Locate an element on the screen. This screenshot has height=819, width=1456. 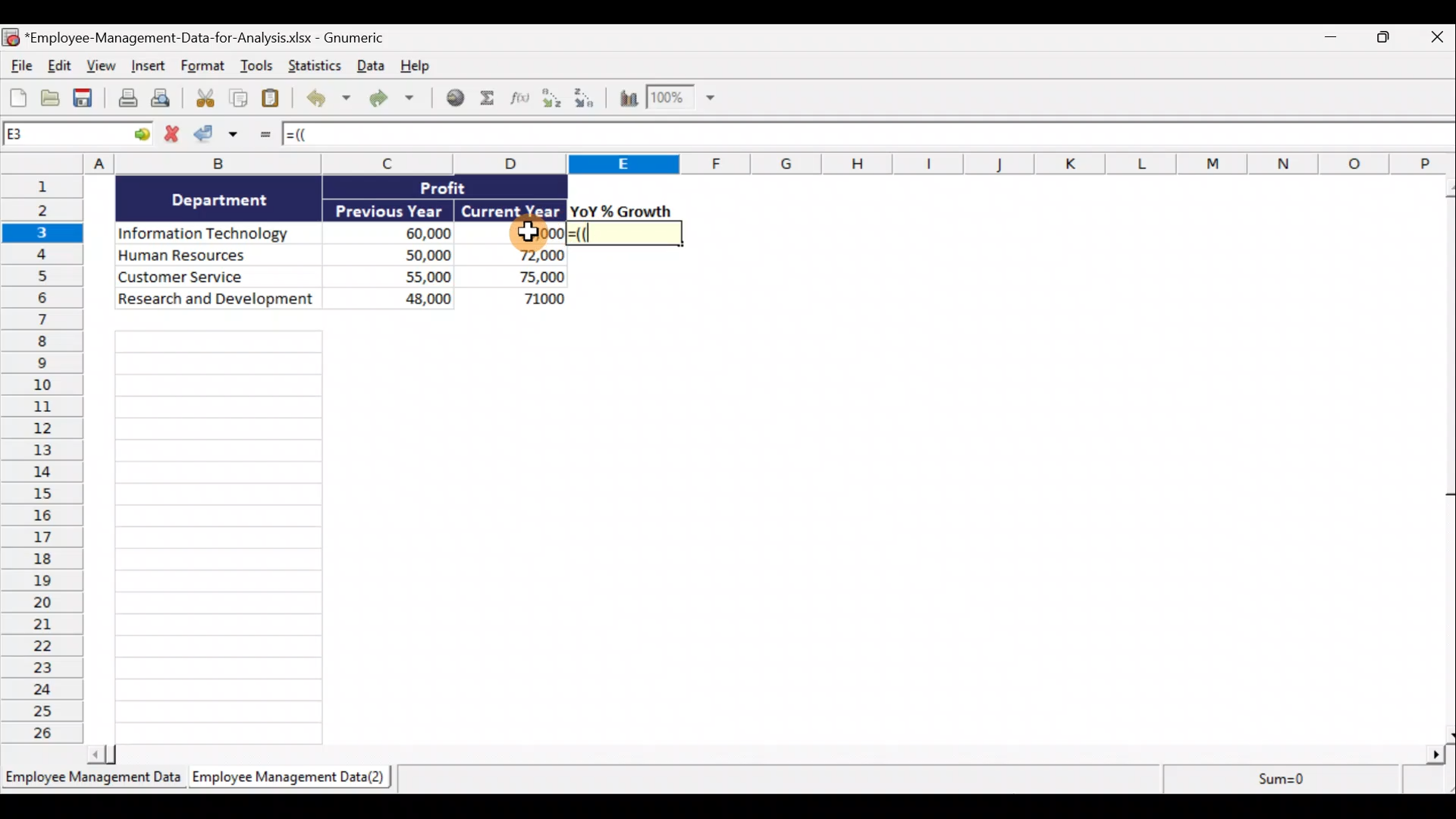
Zoom is located at coordinates (680, 99).